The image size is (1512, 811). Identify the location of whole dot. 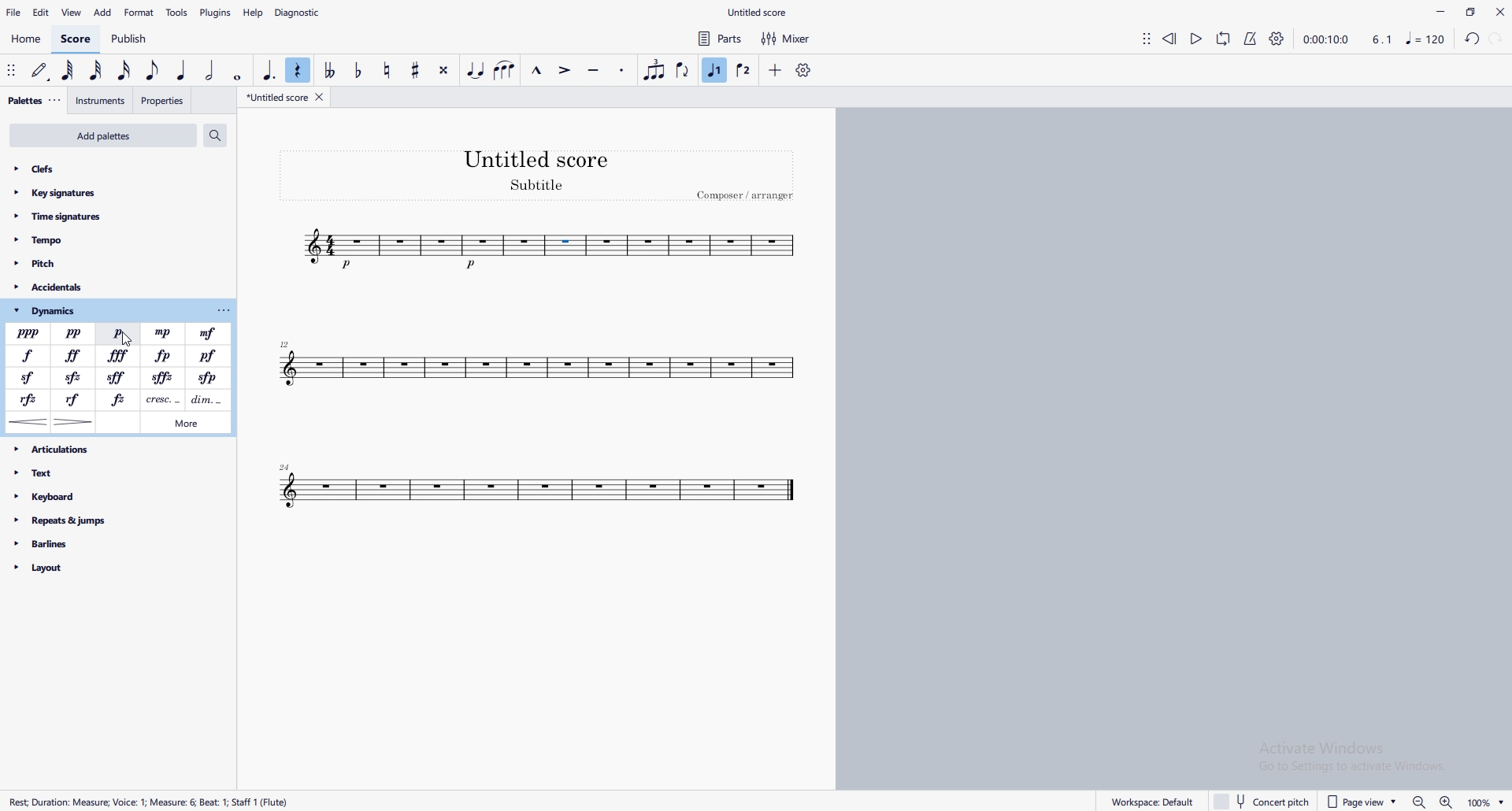
(237, 73).